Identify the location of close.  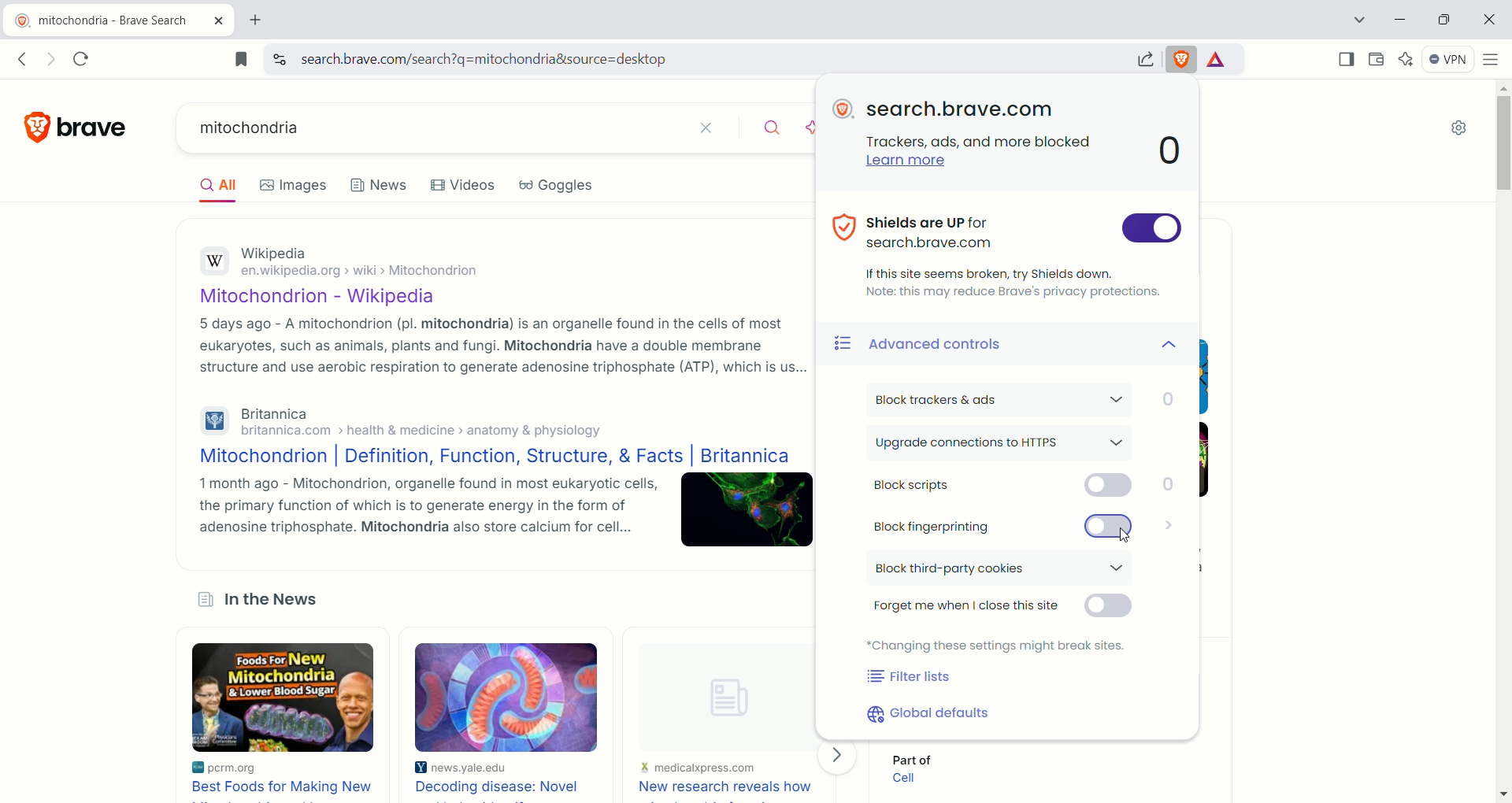
(711, 129).